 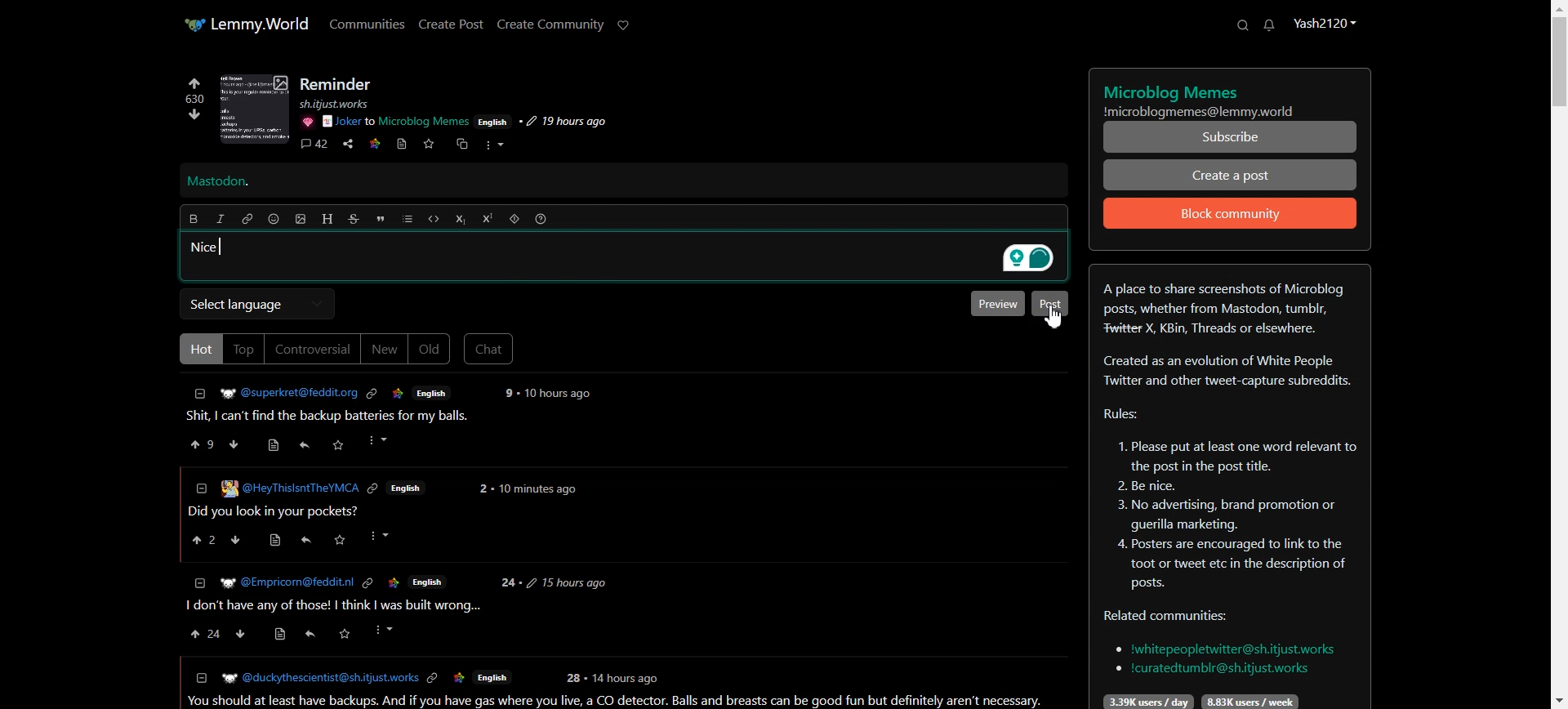 What do you see at coordinates (218, 182) in the screenshot?
I see `Text` at bounding box center [218, 182].